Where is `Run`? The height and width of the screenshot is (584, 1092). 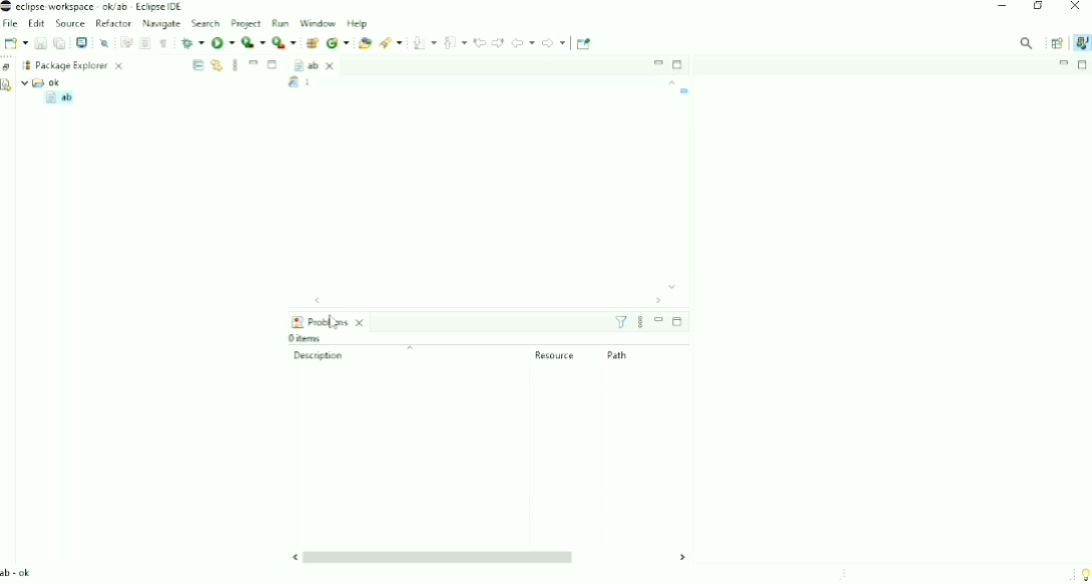
Run is located at coordinates (279, 23).